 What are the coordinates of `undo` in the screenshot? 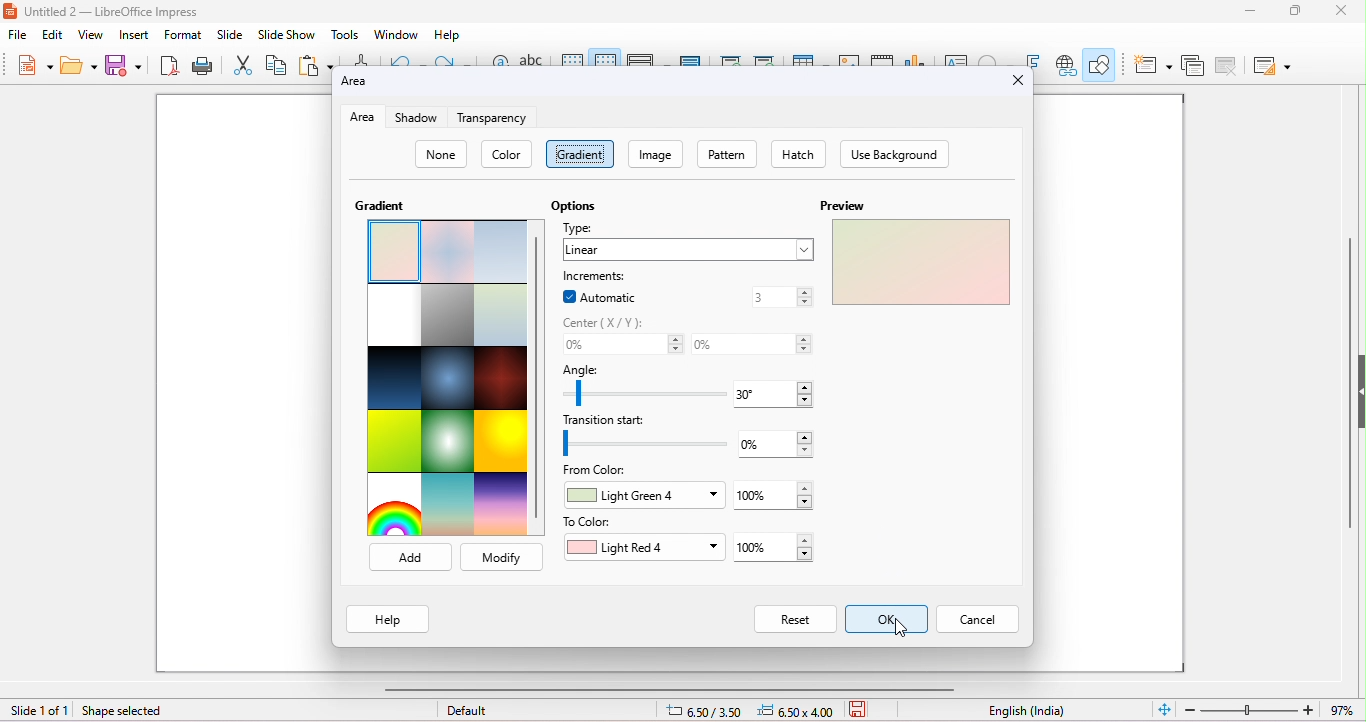 It's located at (403, 59).